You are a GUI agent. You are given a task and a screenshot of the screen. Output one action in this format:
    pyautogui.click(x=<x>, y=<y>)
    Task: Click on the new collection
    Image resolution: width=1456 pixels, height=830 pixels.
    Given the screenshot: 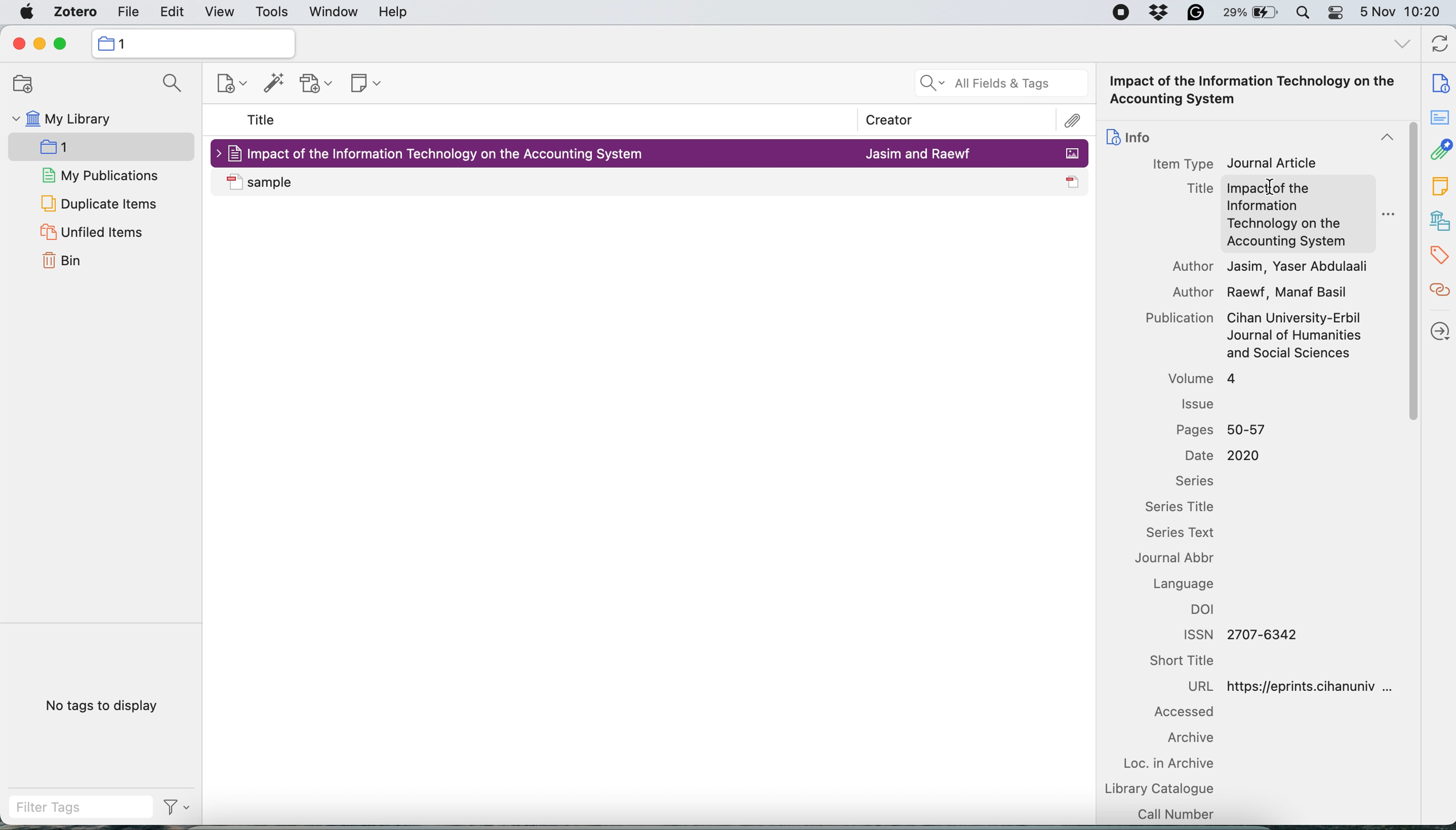 What is the action you would take?
    pyautogui.click(x=23, y=83)
    